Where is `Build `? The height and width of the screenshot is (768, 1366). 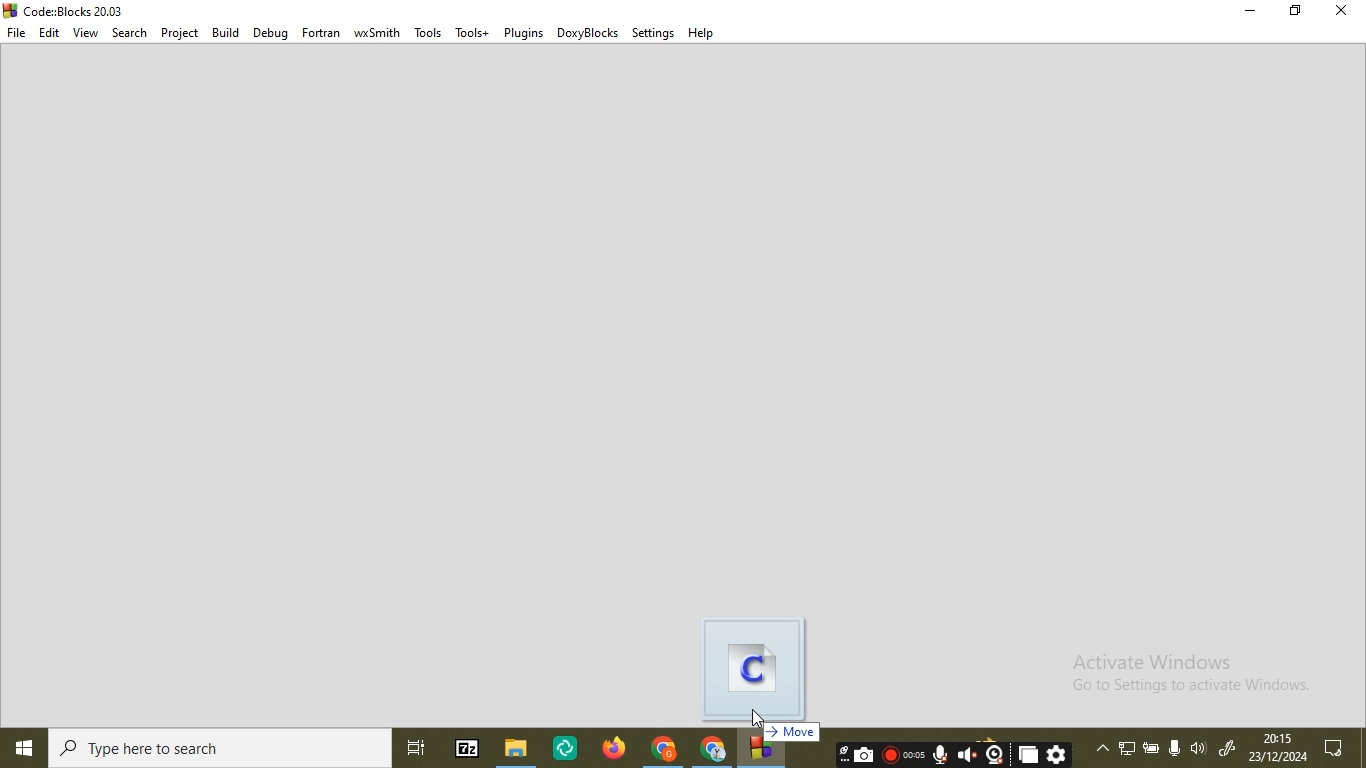
Build  is located at coordinates (223, 32).